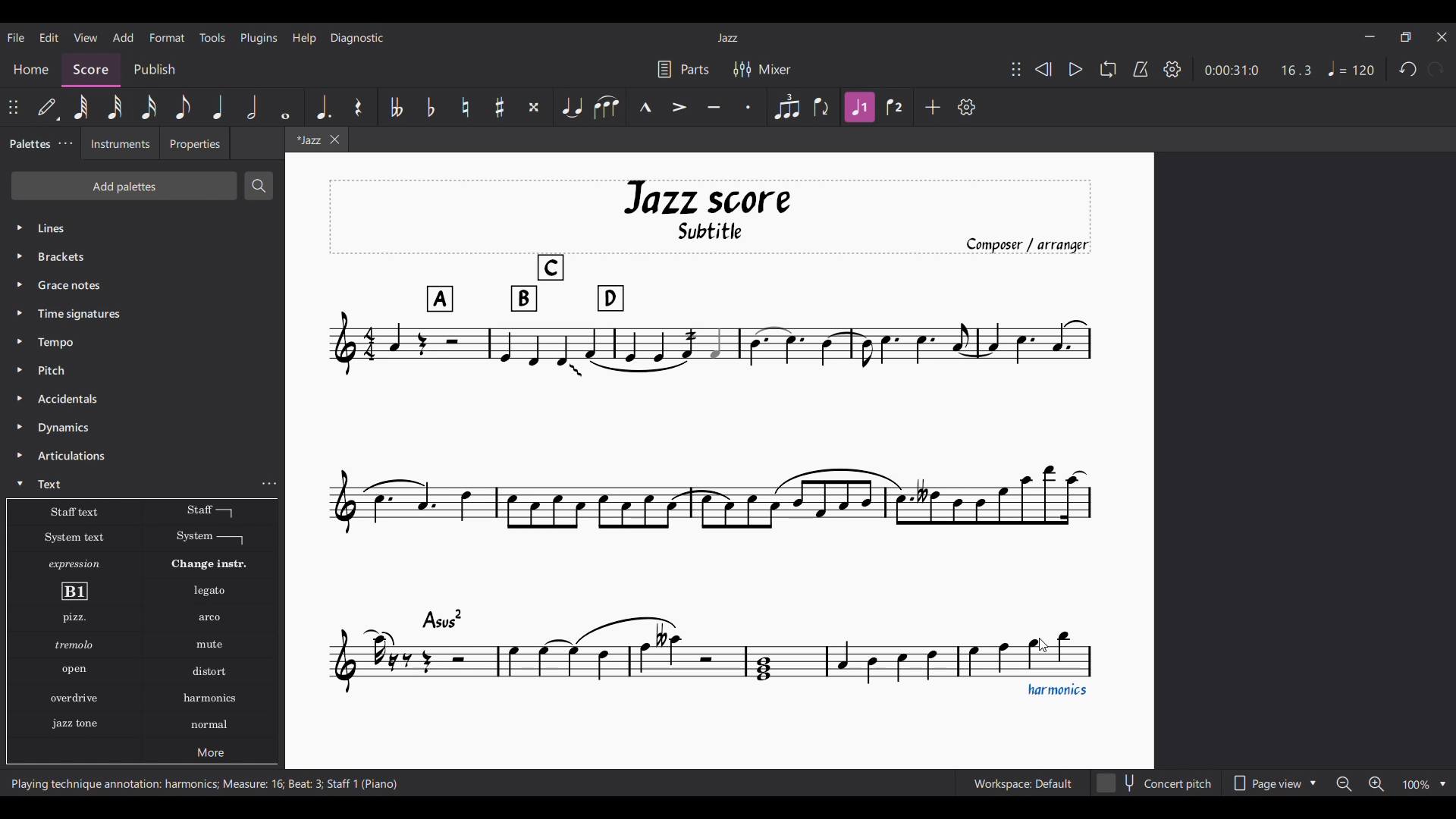  What do you see at coordinates (259, 38) in the screenshot?
I see `Plugins menu` at bounding box center [259, 38].